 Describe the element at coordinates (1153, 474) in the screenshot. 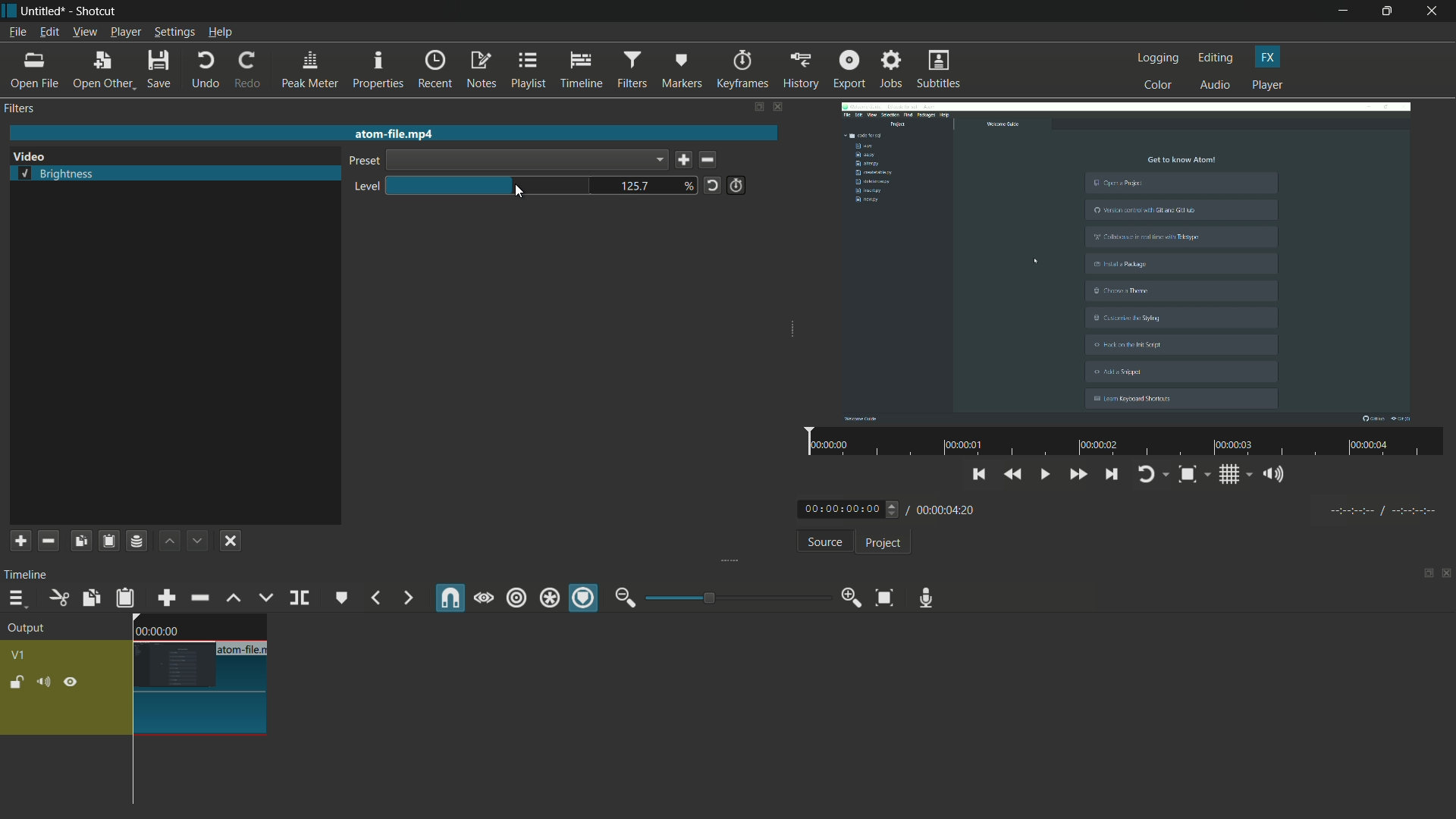

I see `toggle player logging` at that location.